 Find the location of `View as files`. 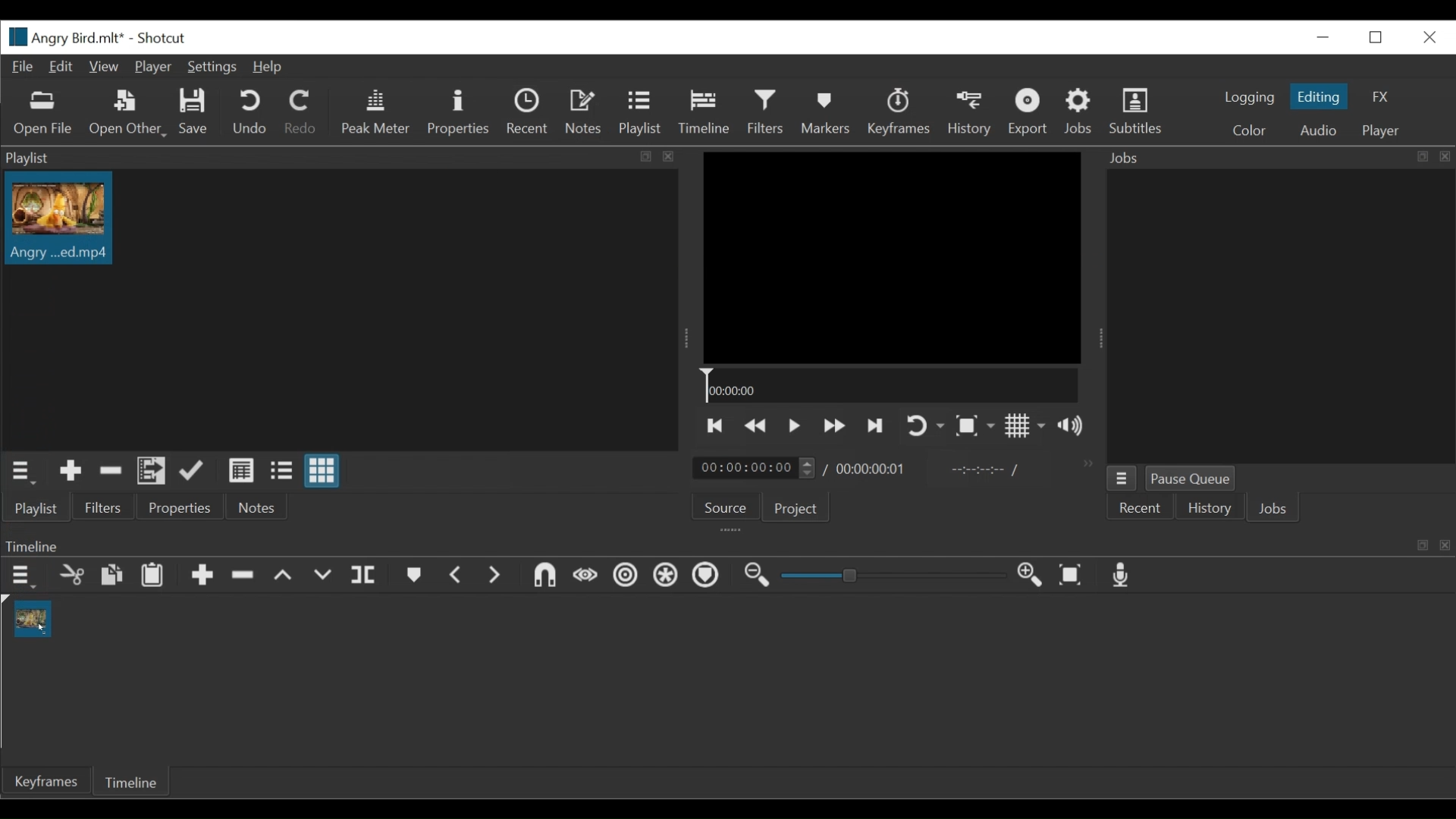

View as files is located at coordinates (281, 470).